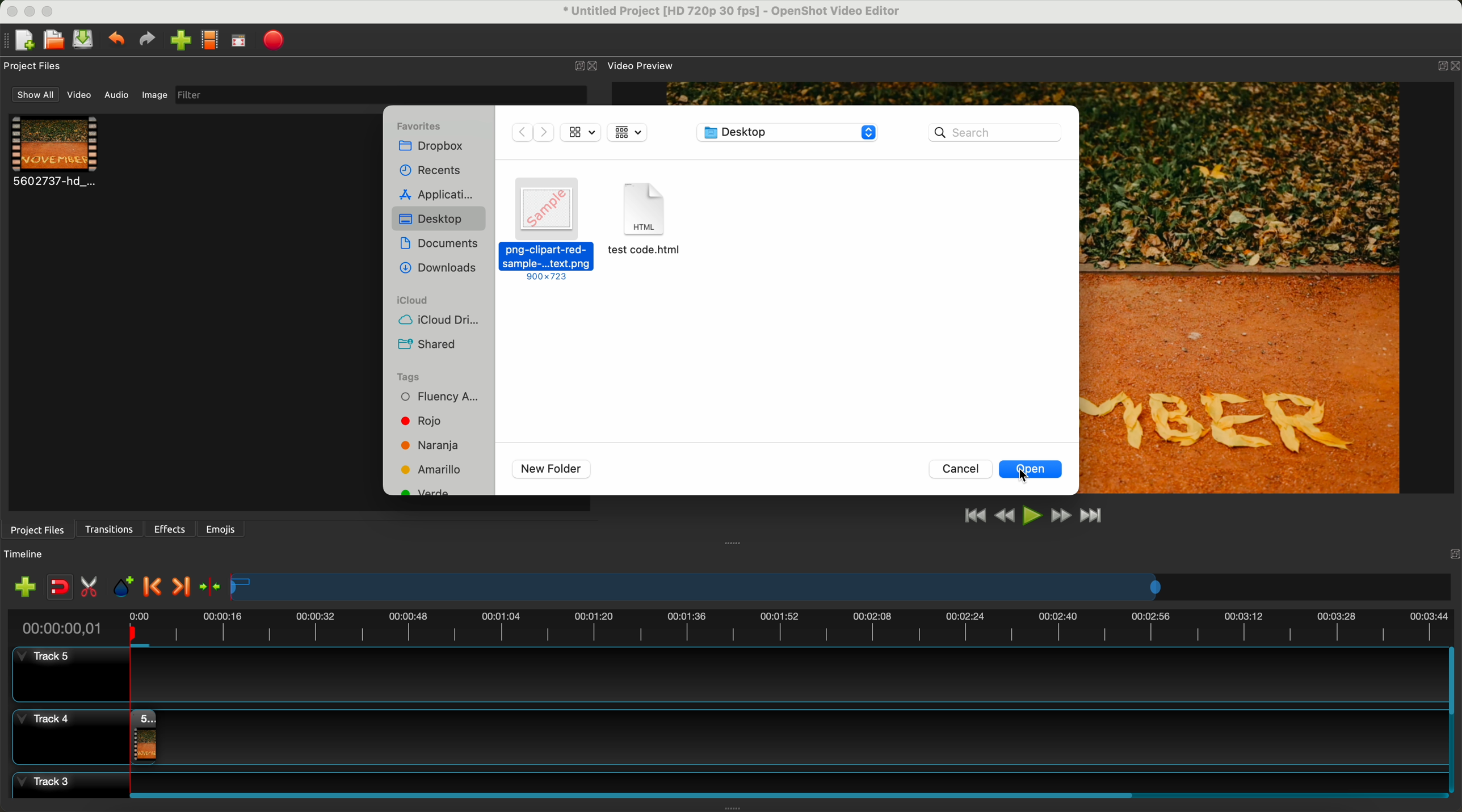 The image size is (1462, 812). I want to click on Window Expanding, so click(733, 542).